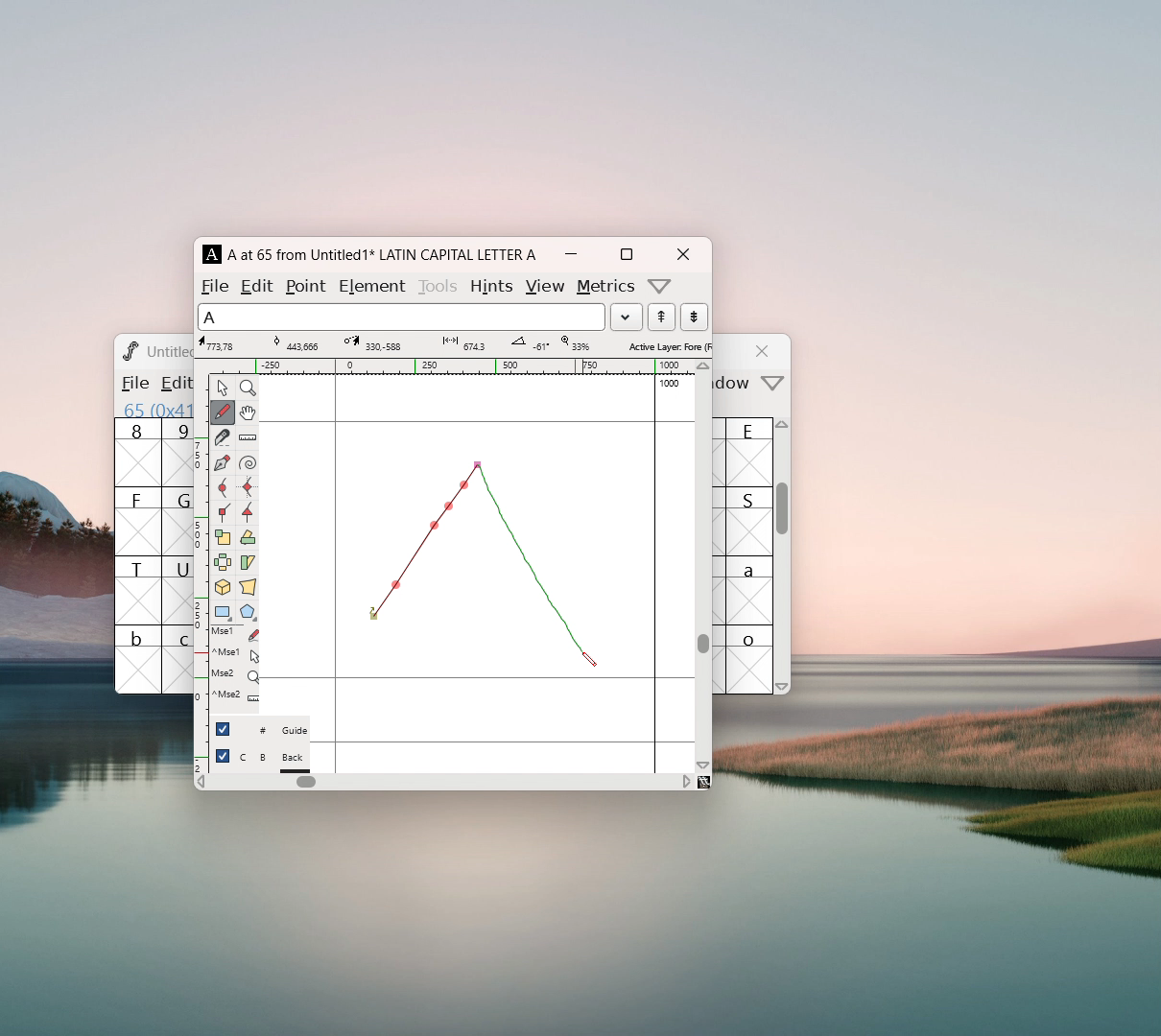 This screenshot has height=1036, width=1161. I want to click on scroll down, so click(703, 765).